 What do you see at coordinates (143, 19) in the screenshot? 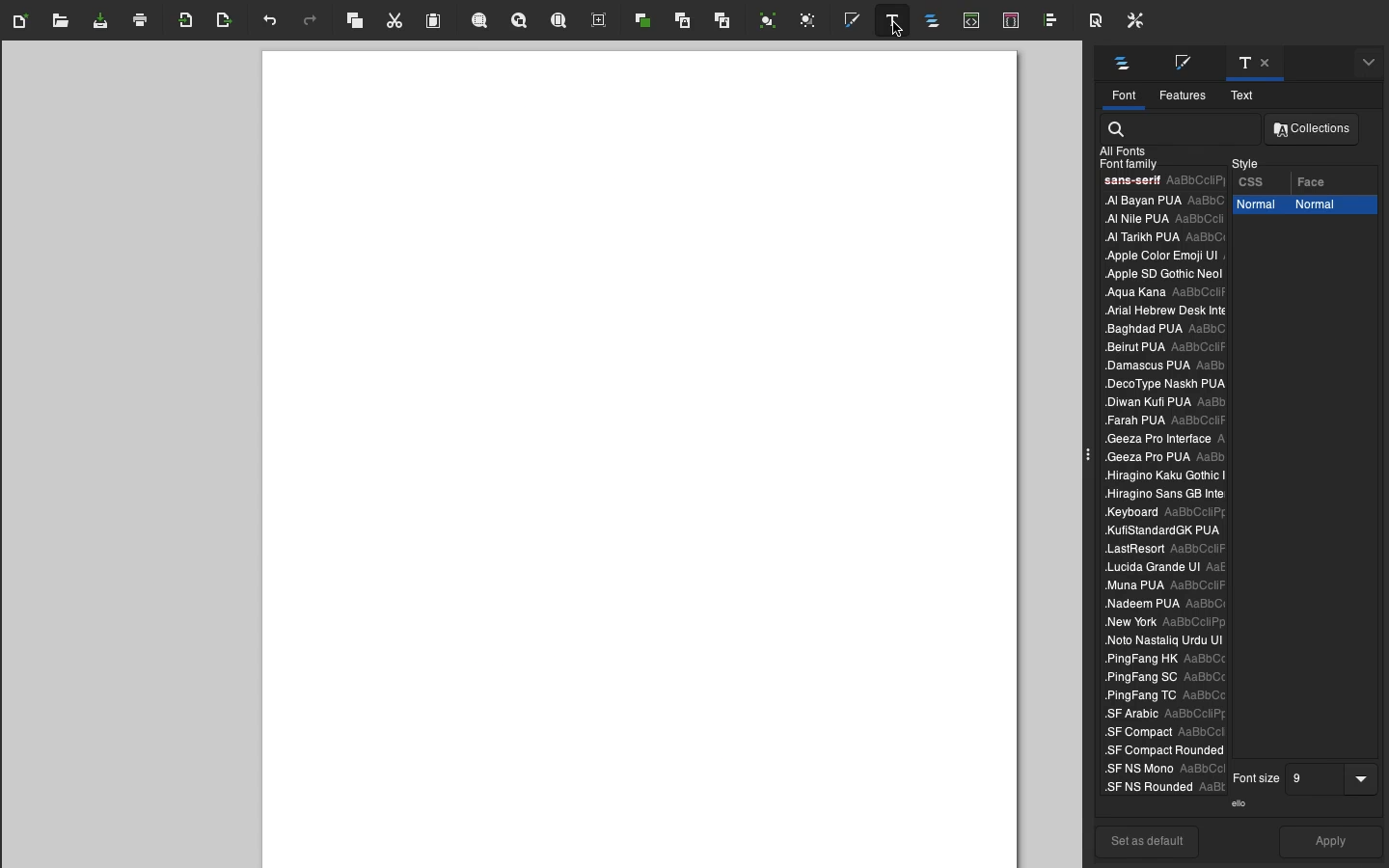
I see `Print` at bounding box center [143, 19].